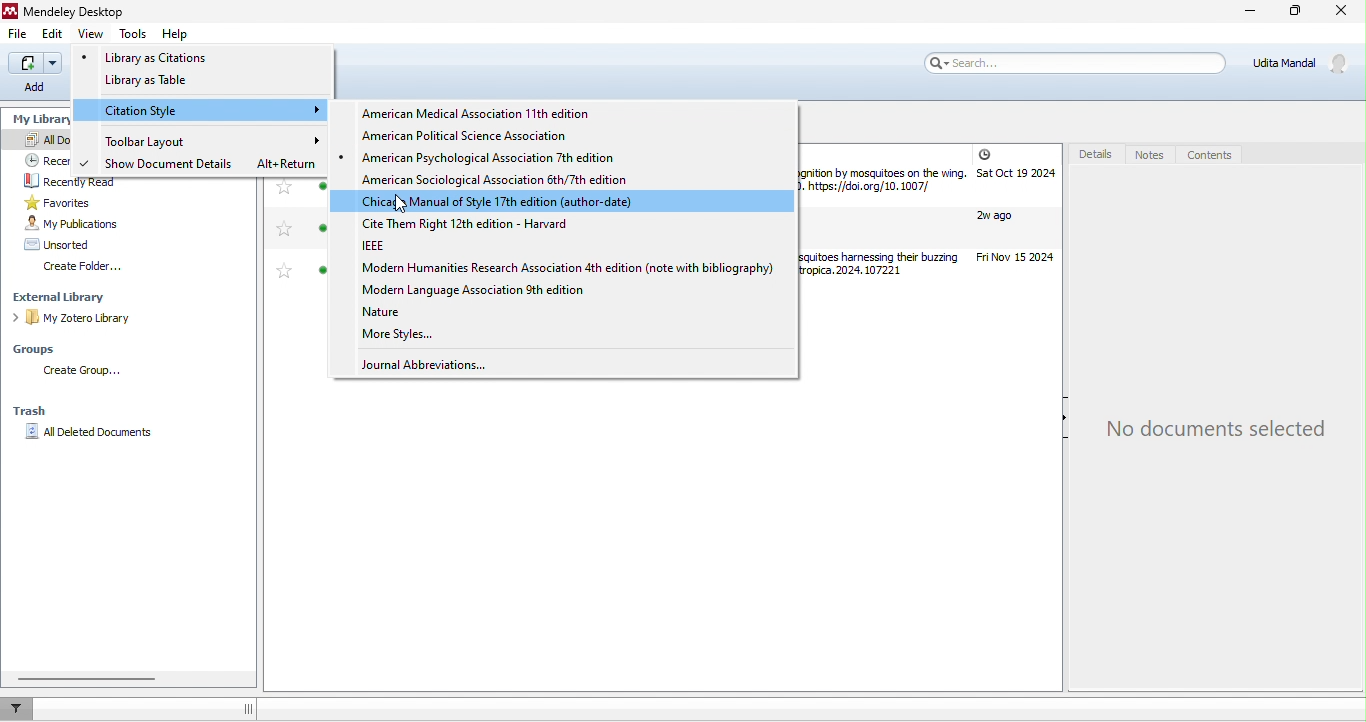 The image size is (1366, 722). I want to click on no document selected, so click(1218, 429).